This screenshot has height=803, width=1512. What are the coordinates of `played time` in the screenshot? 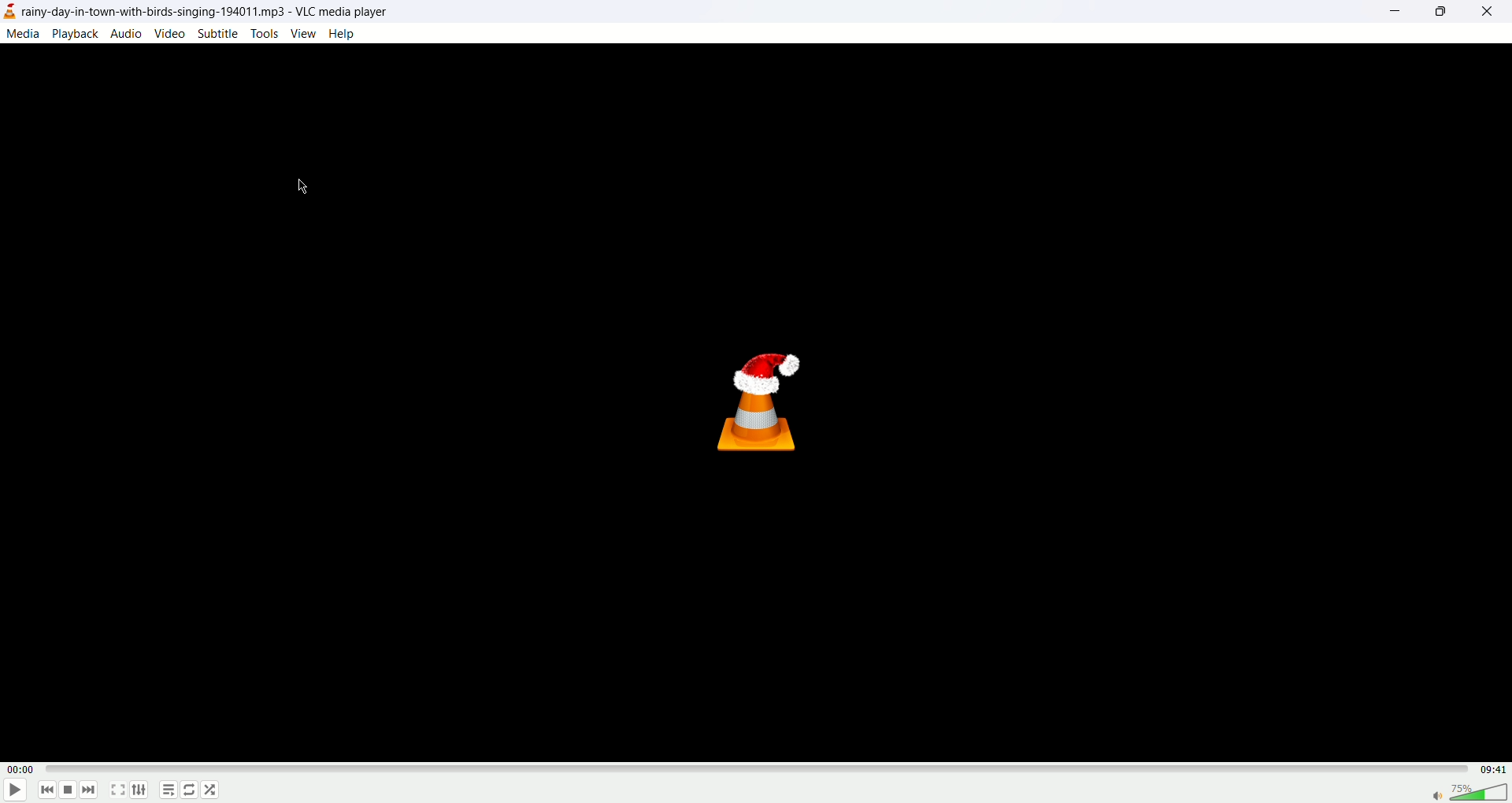 It's located at (20, 770).